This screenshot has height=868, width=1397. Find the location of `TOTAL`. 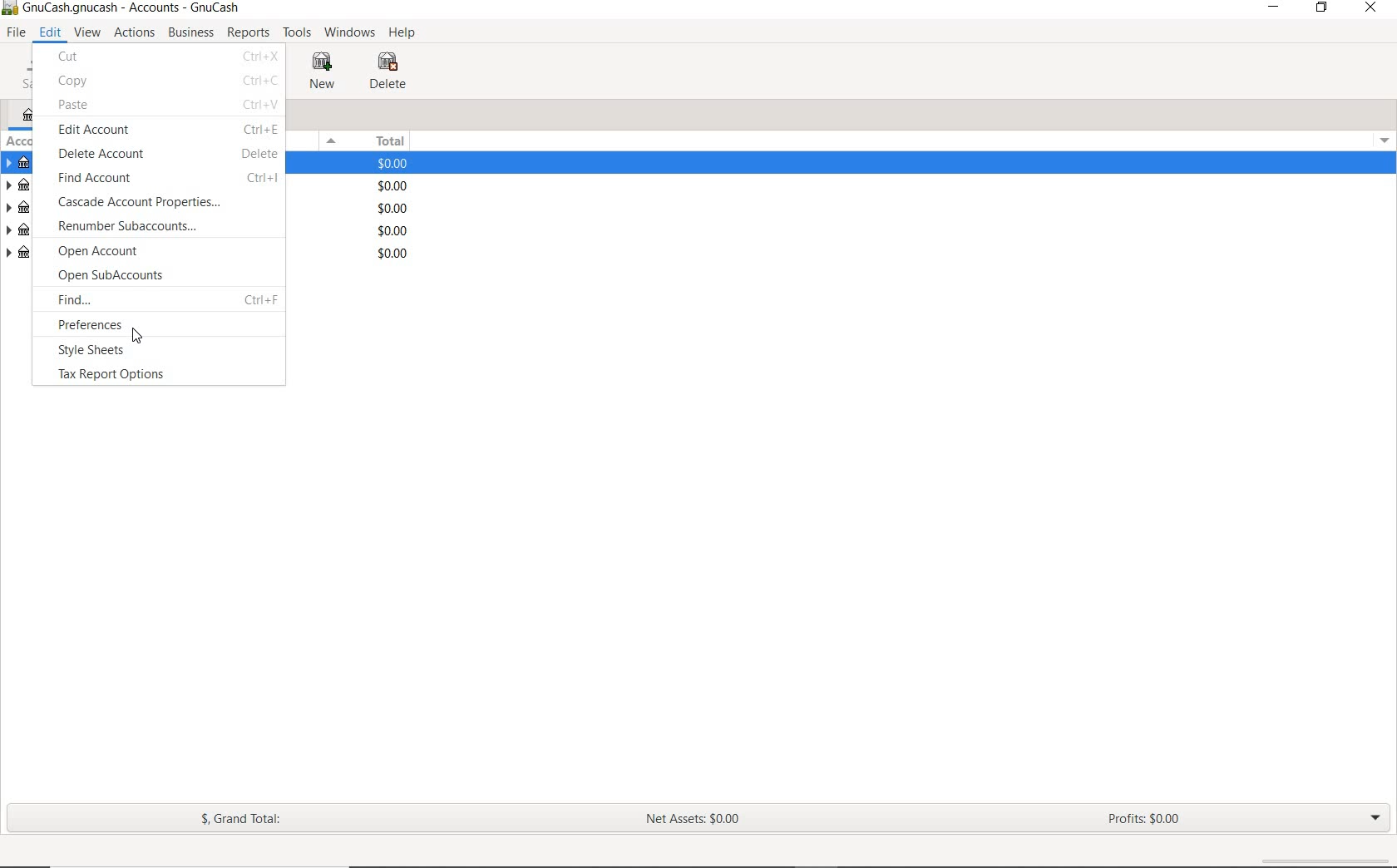

TOTAL is located at coordinates (370, 141).